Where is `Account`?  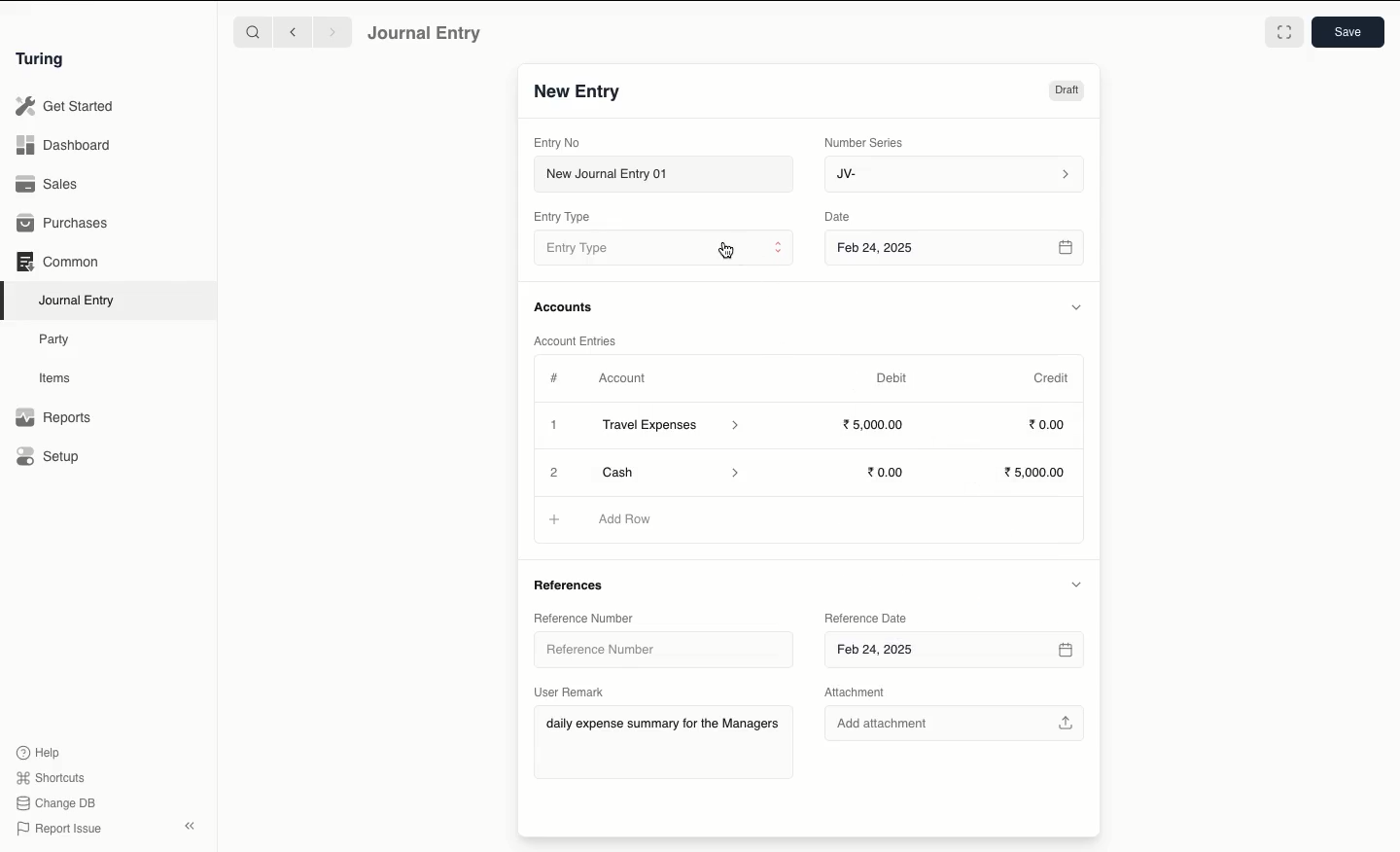 Account is located at coordinates (623, 378).